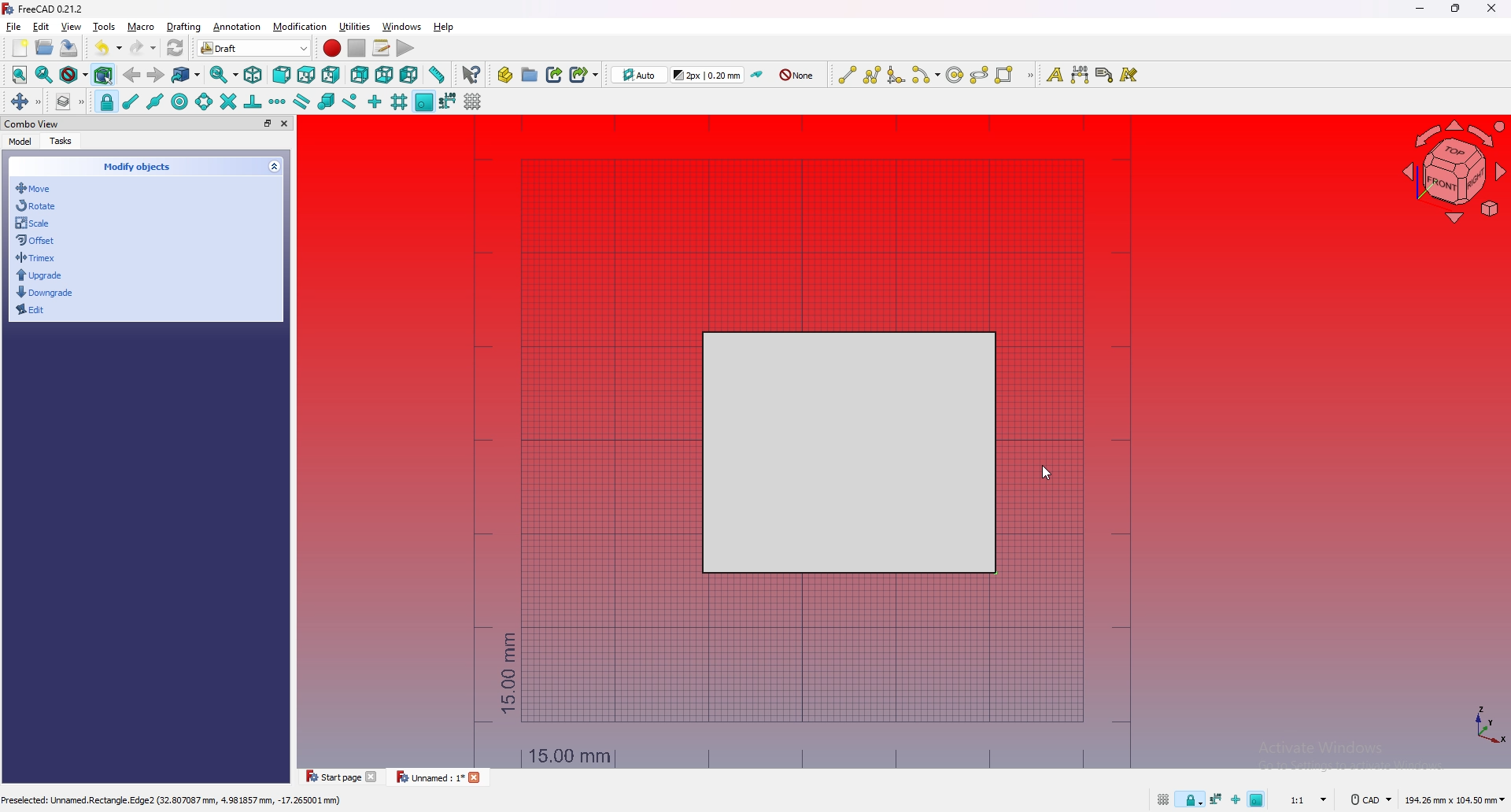  What do you see at coordinates (20, 48) in the screenshot?
I see `new` at bounding box center [20, 48].